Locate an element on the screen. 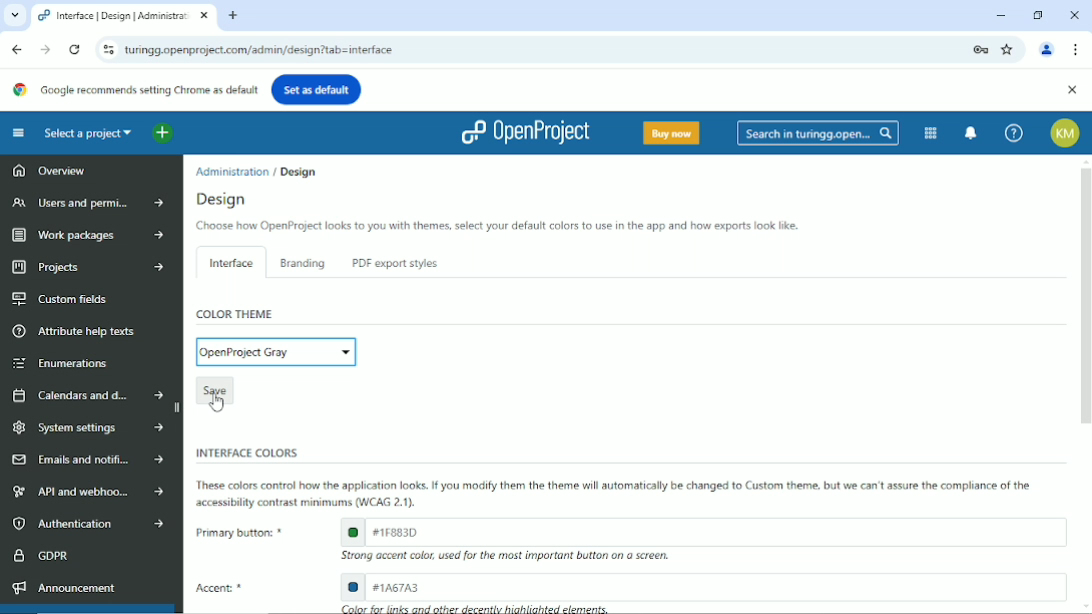 The image size is (1092, 614). Lock is located at coordinates (980, 48).